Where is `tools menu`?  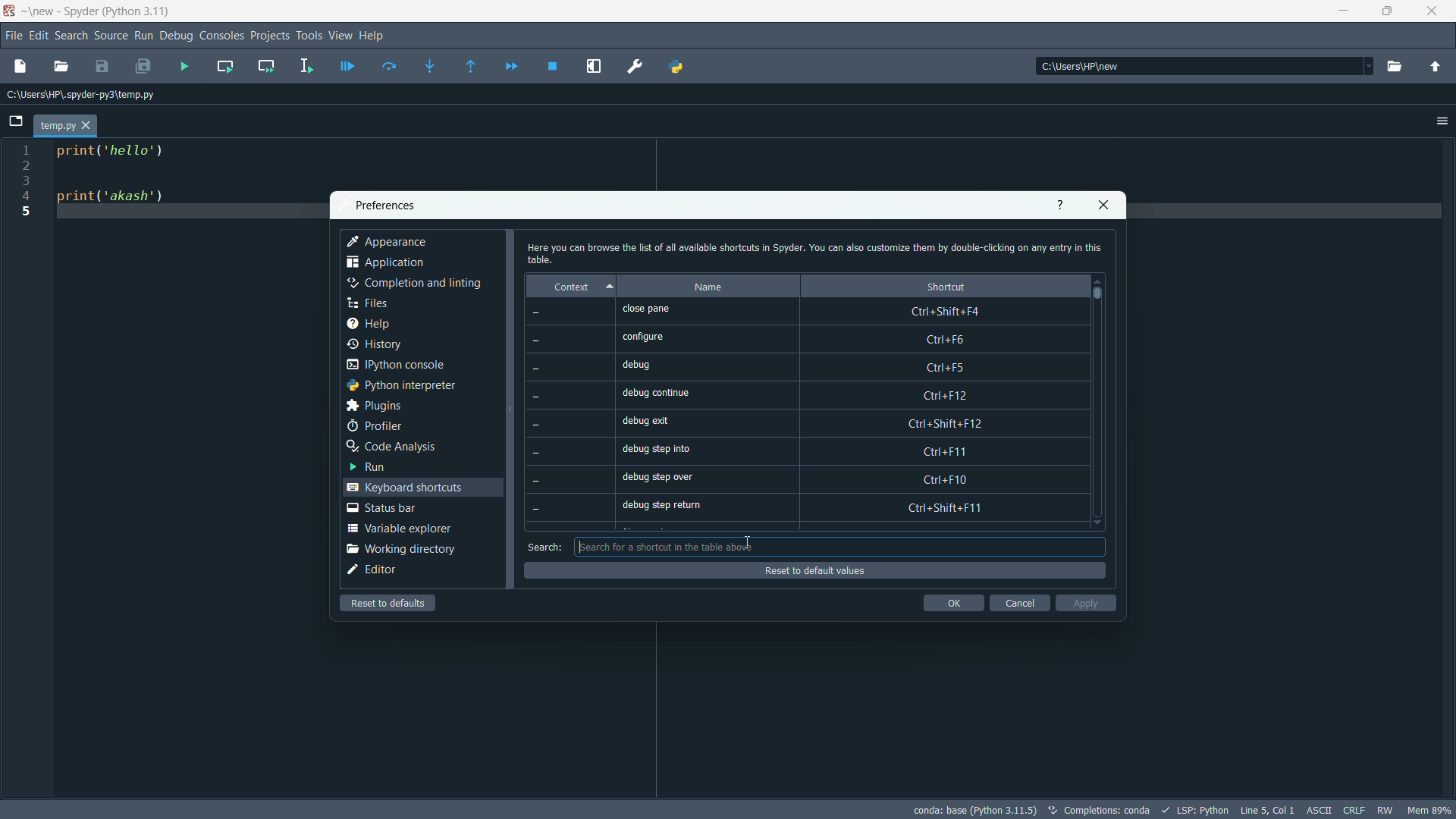
tools menu is located at coordinates (310, 36).